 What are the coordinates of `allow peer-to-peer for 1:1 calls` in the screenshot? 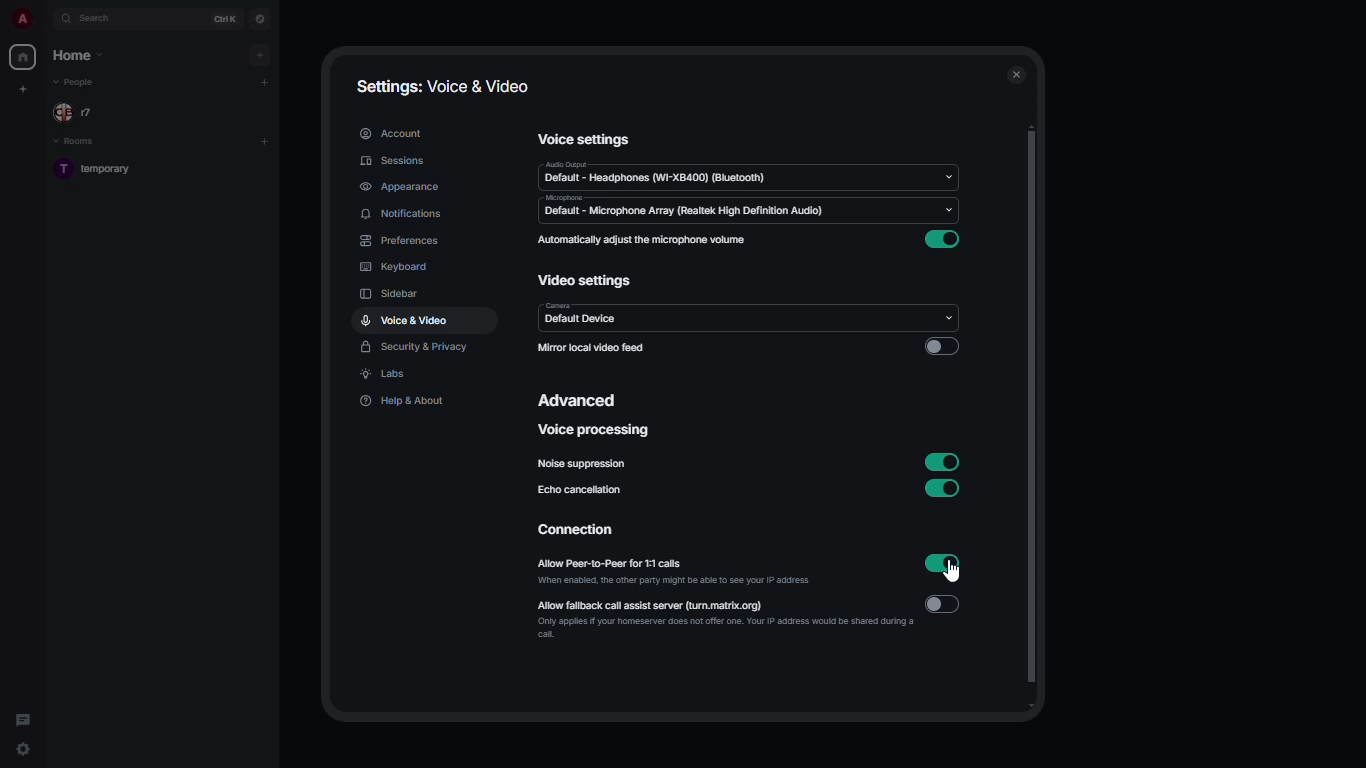 It's located at (676, 571).